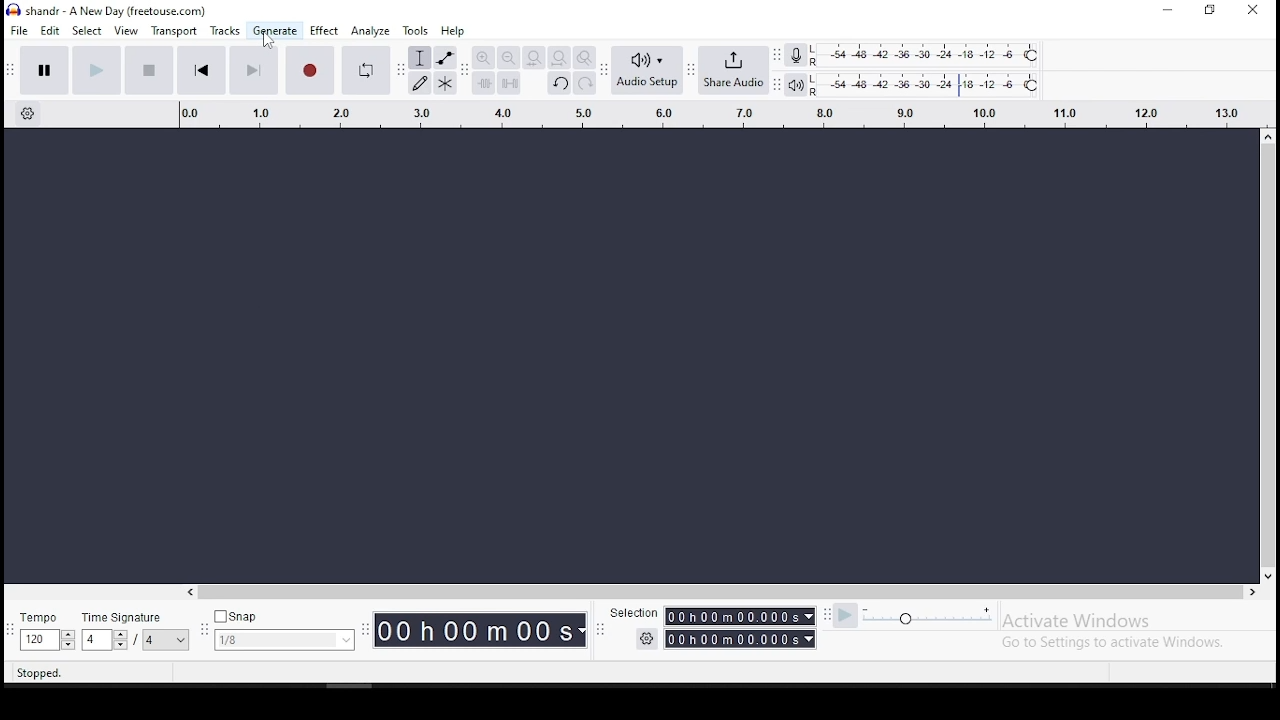 The height and width of the screenshot is (720, 1280). What do you see at coordinates (533, 58) in the screenshot?
I see `fit selection to width` at bounding box center [533, 58].